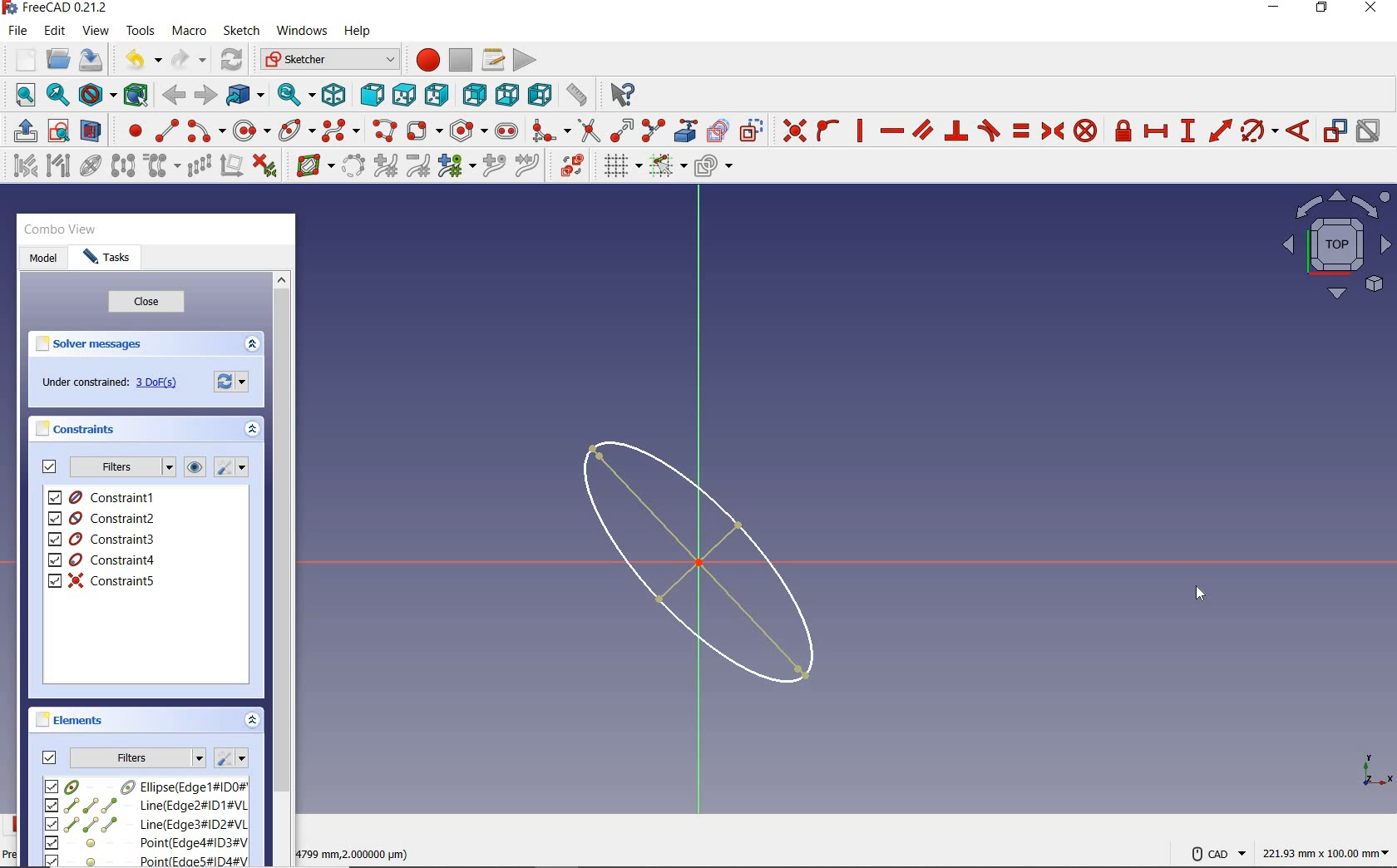  Describe the element at coordinates (828, 131) in the screenshot. I see `constrain point onto object` at that location.